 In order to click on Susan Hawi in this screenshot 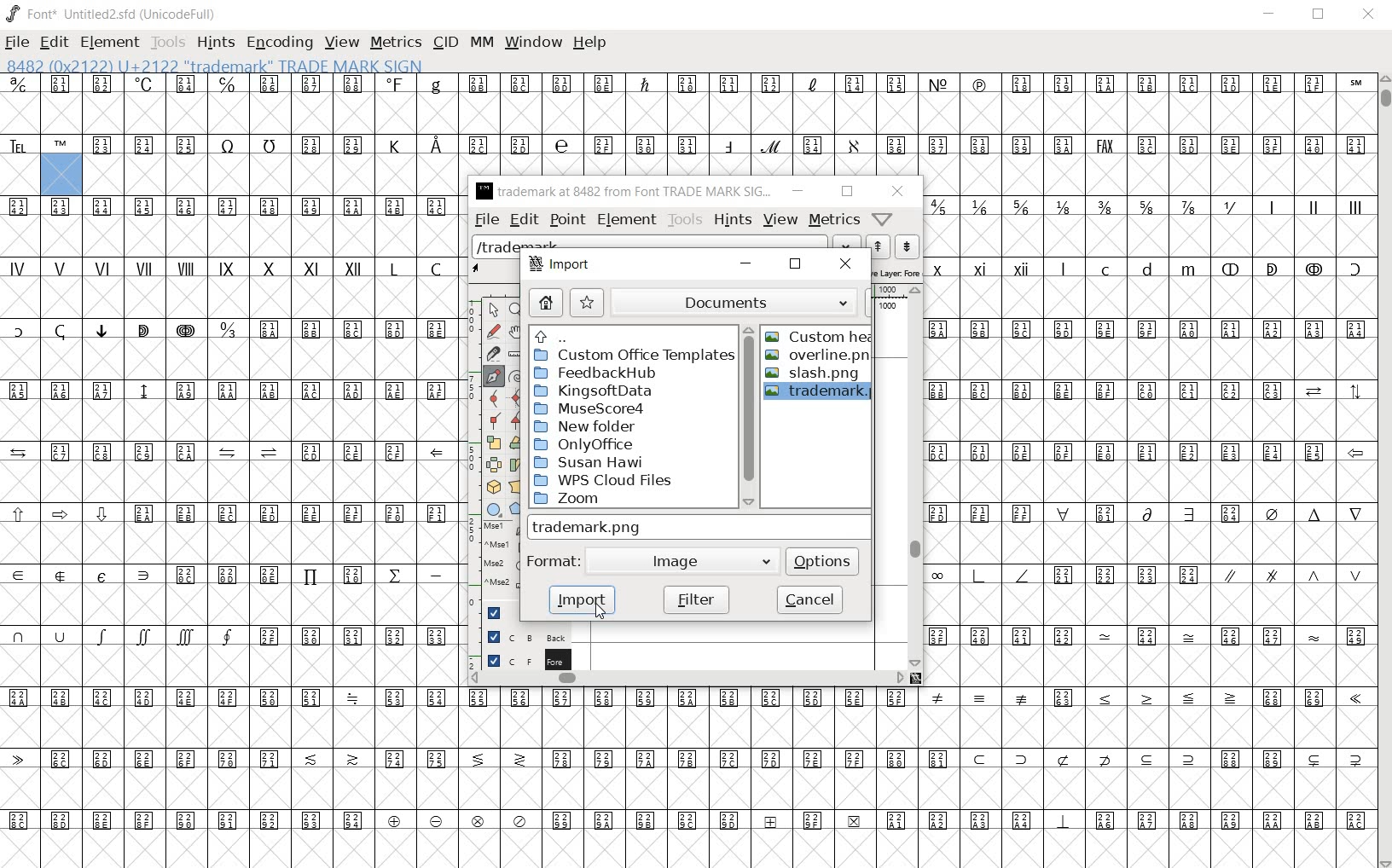, I will do `click(590, 462)`.